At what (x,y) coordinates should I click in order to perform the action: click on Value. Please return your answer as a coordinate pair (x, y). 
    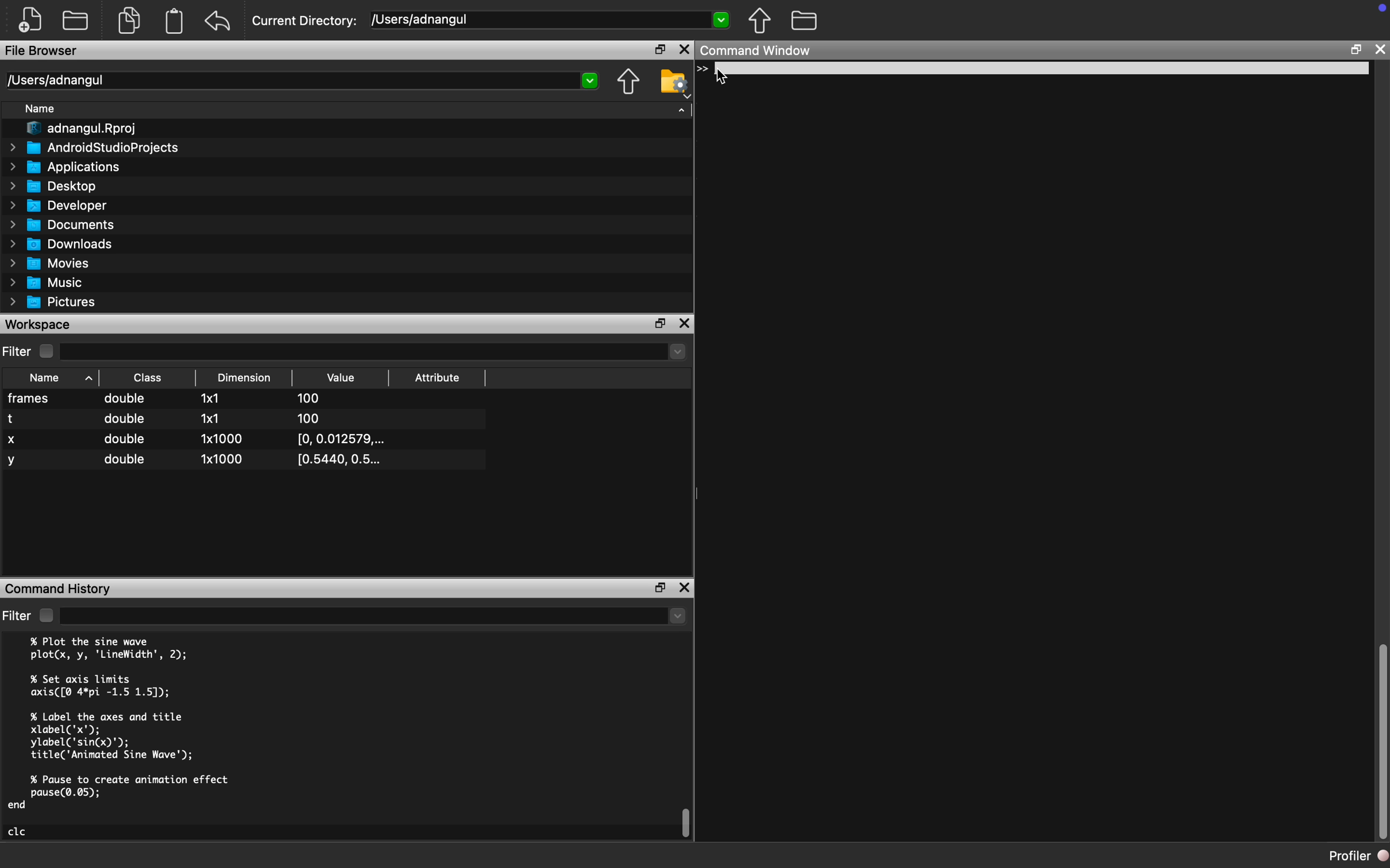
    Looking at the image, I should click on (341, 378).